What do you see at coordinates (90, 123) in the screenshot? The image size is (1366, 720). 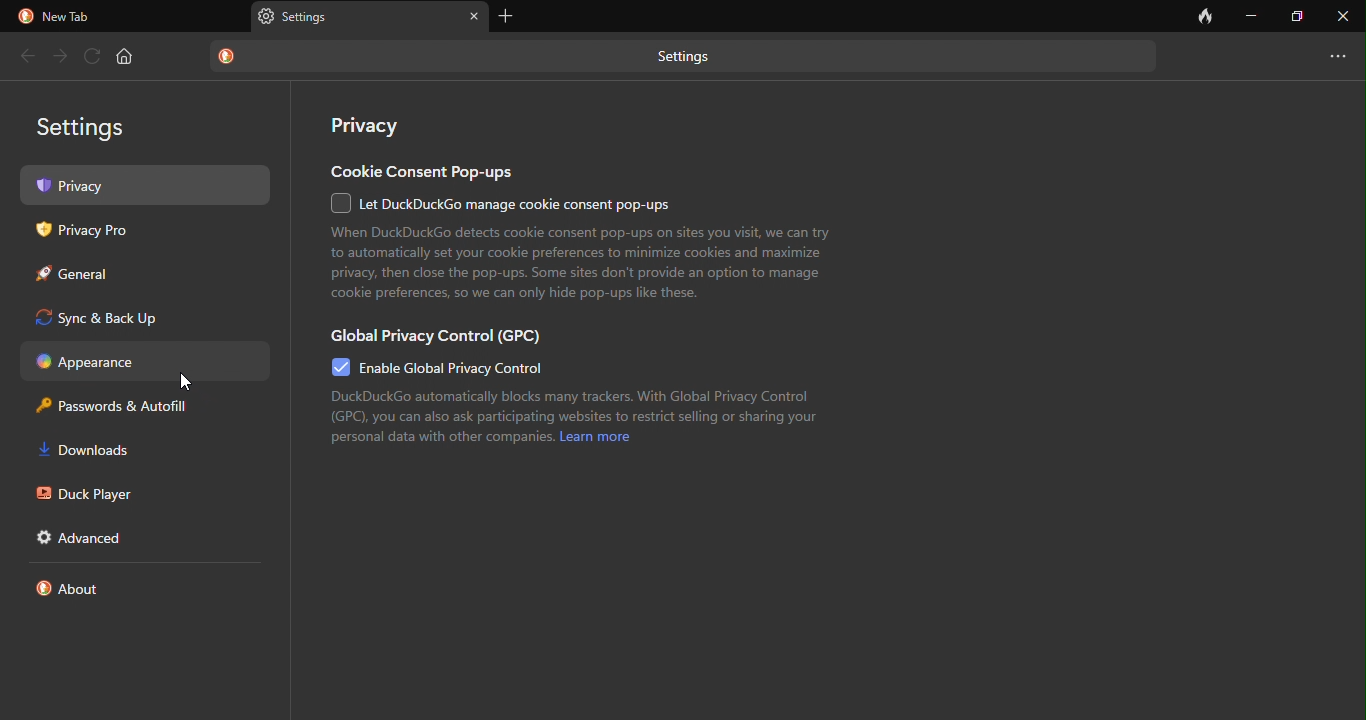 I see `settings` at bounding box center [90, 123].